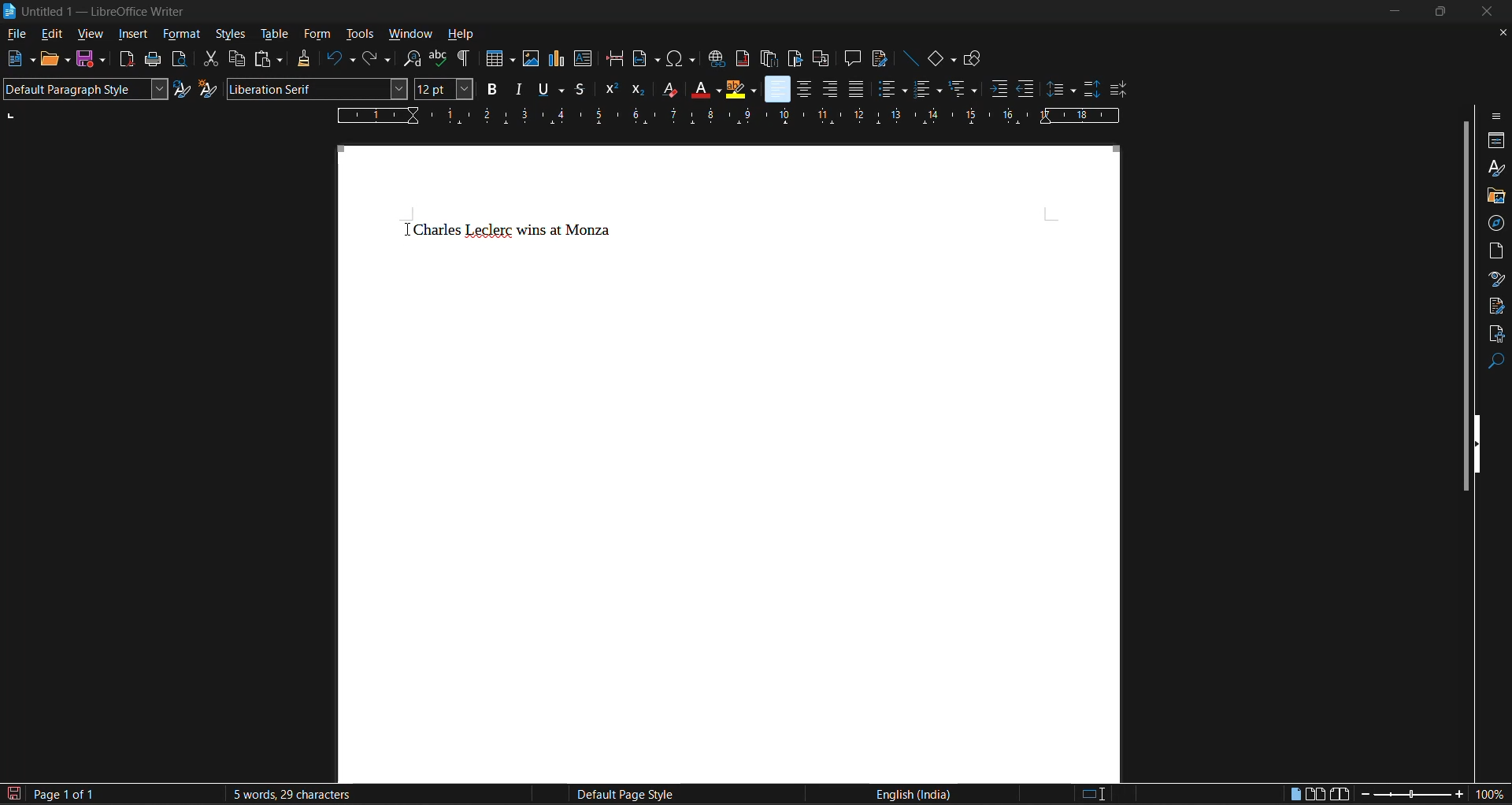 This screenshot has height=805, width=1512. I want to click on undo, so click(338, 58).